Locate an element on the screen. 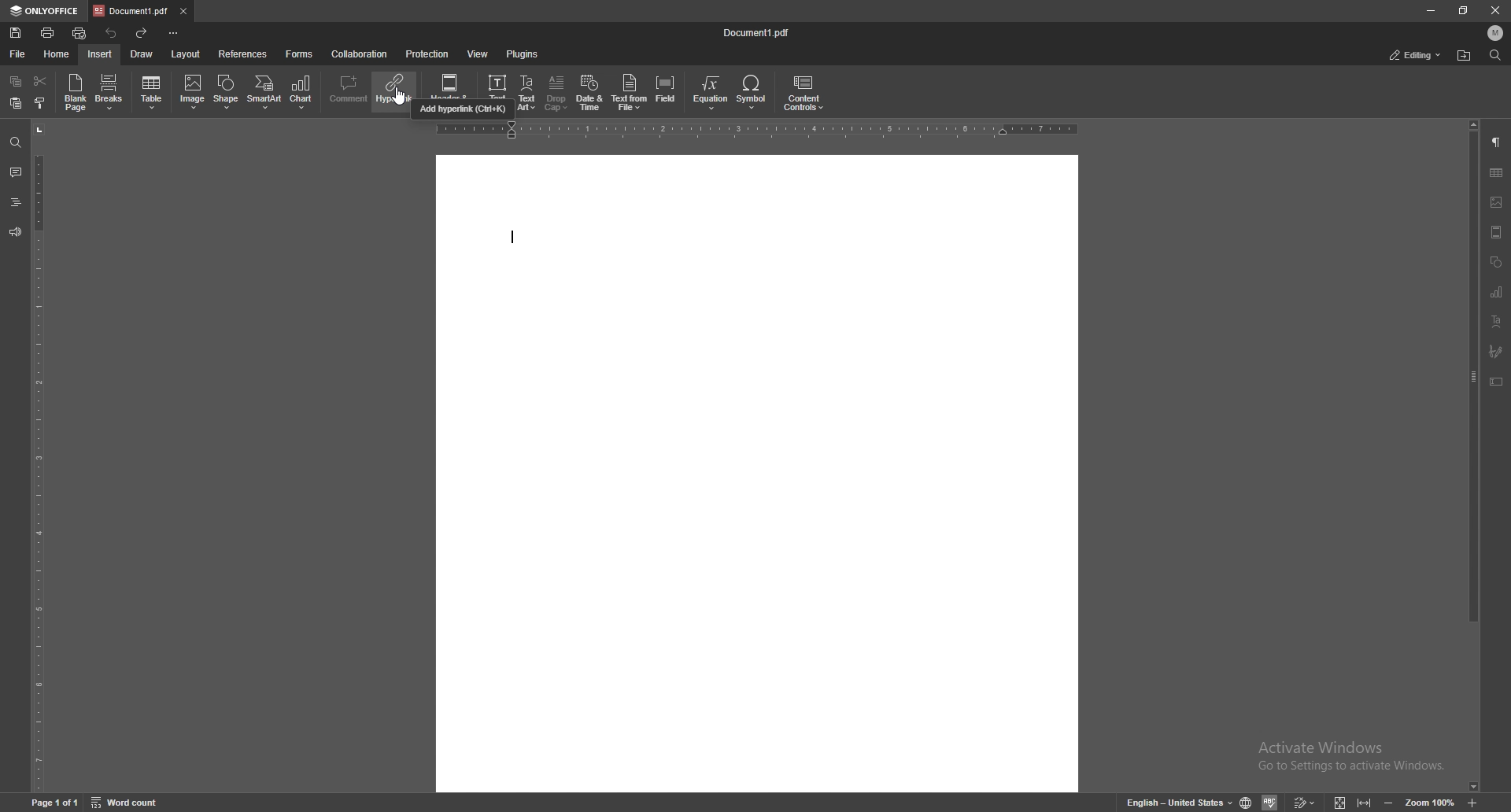 Image resolution: width=1511 pixels, height=812 pixels. editing is located at coordinates (1413, 56).